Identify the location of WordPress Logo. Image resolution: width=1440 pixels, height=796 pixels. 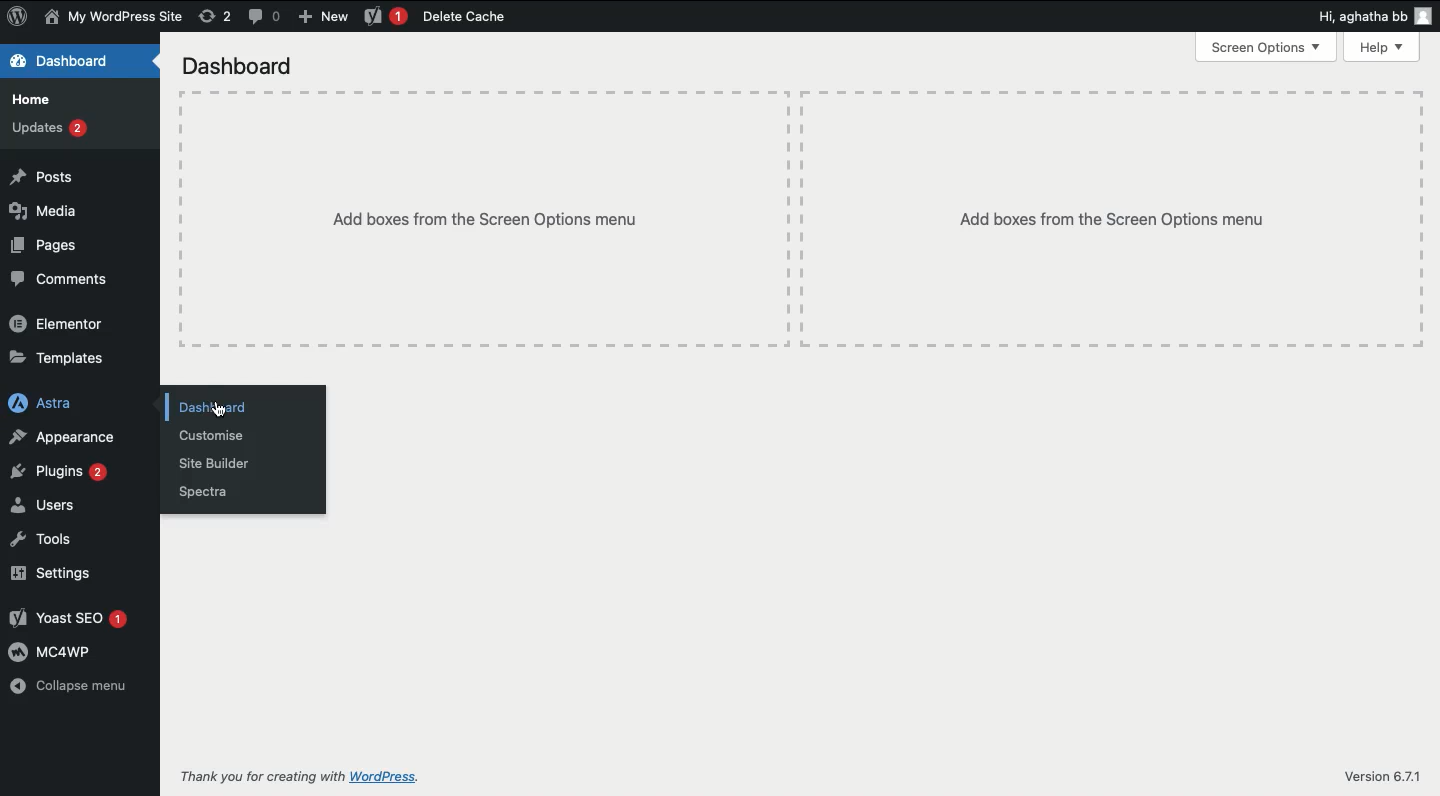
(18, 16).